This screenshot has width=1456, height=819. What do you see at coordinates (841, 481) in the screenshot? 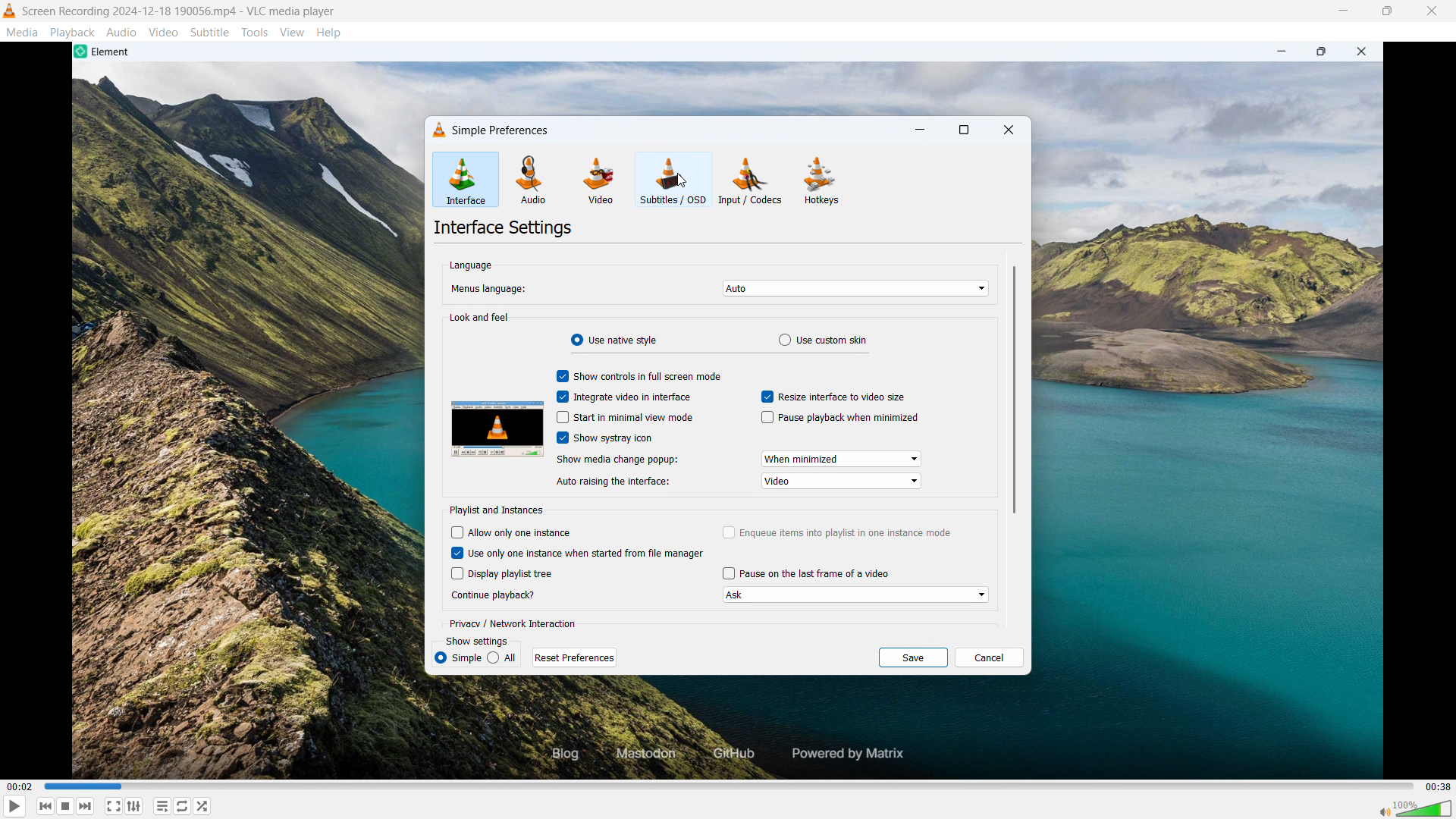
I see `auto raising the interface` at bounding box center [841, 481].